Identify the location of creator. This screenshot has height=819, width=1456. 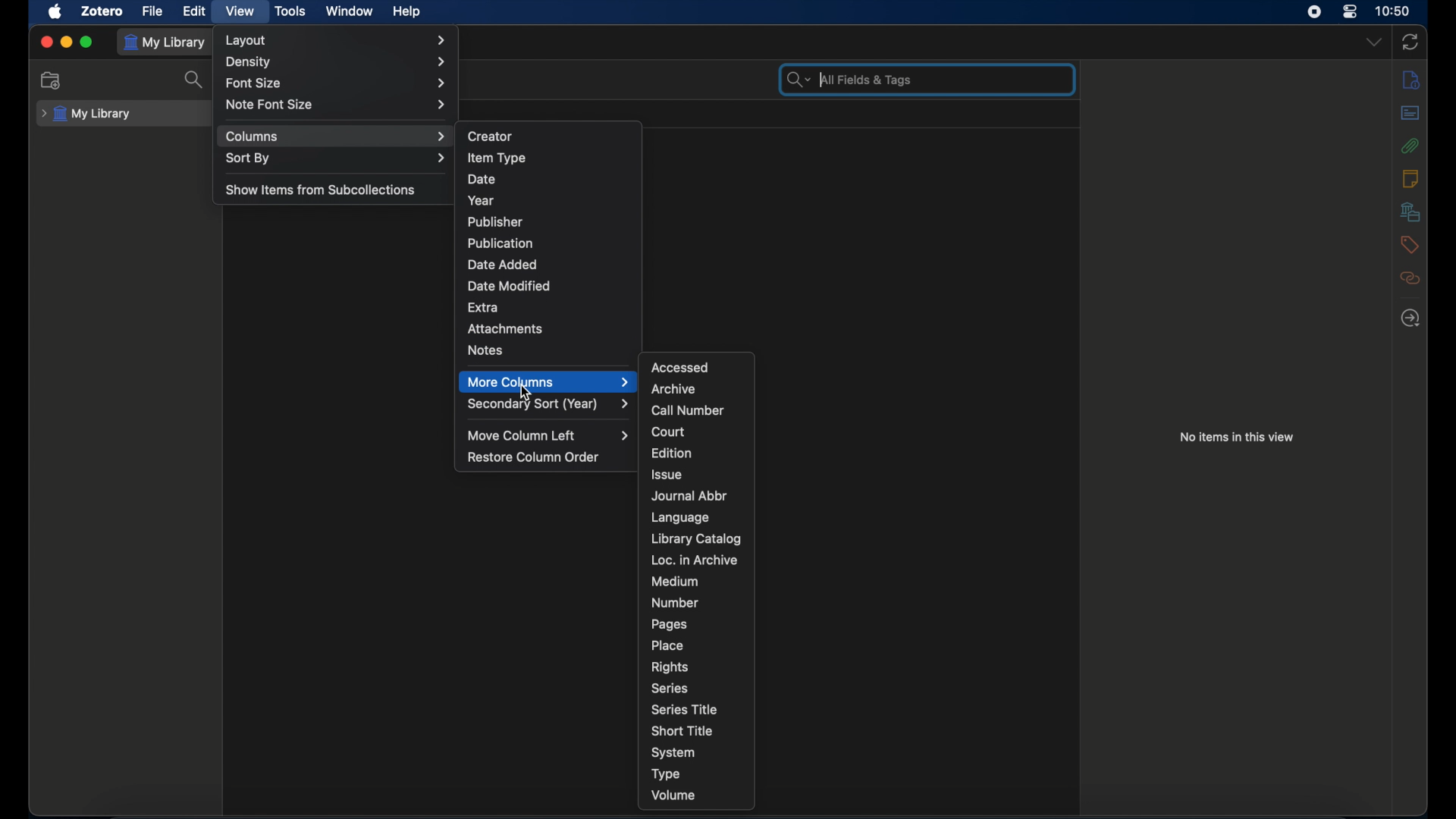
(490, 135).